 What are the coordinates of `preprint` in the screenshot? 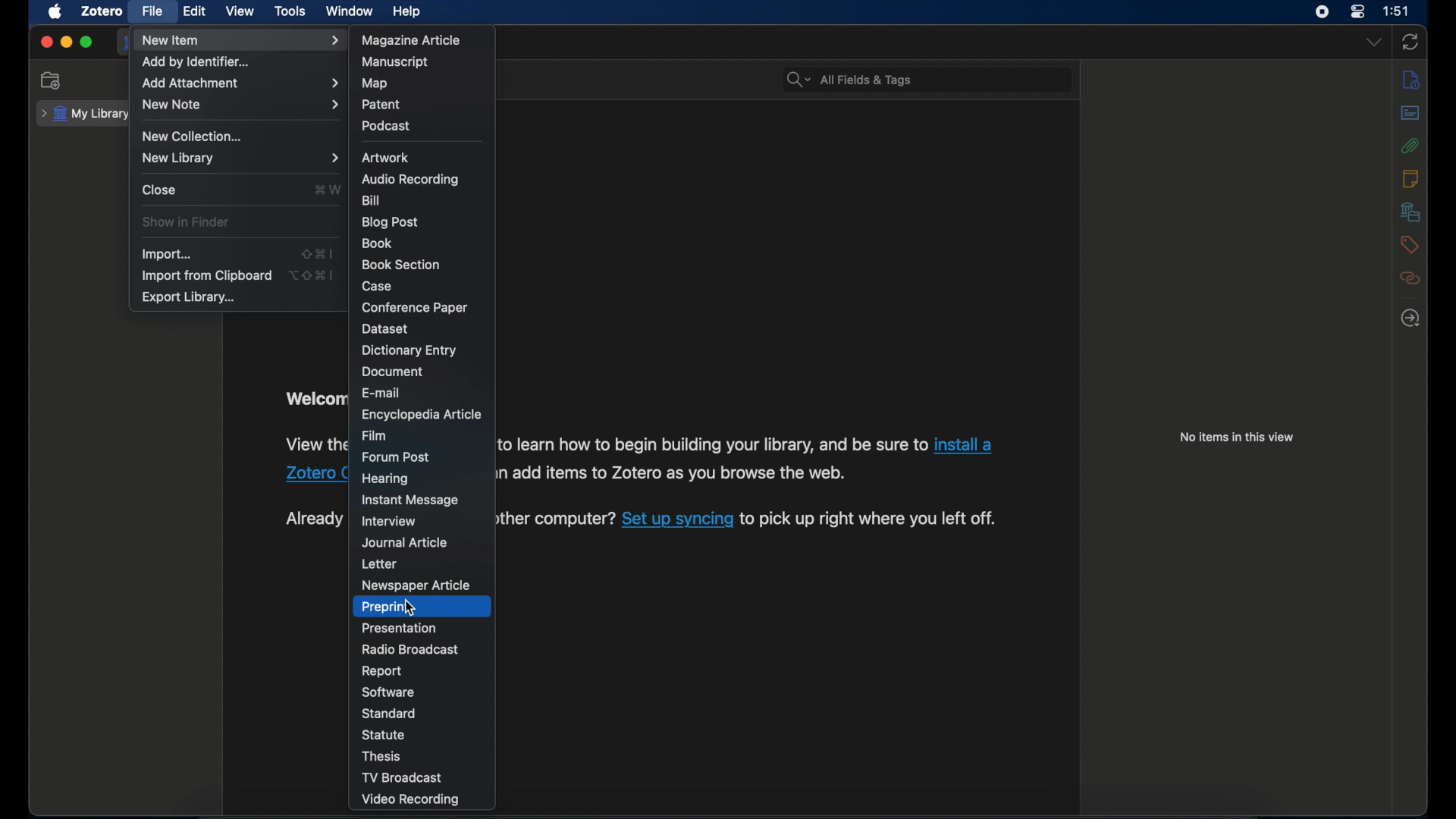 It's located at (387, 607).